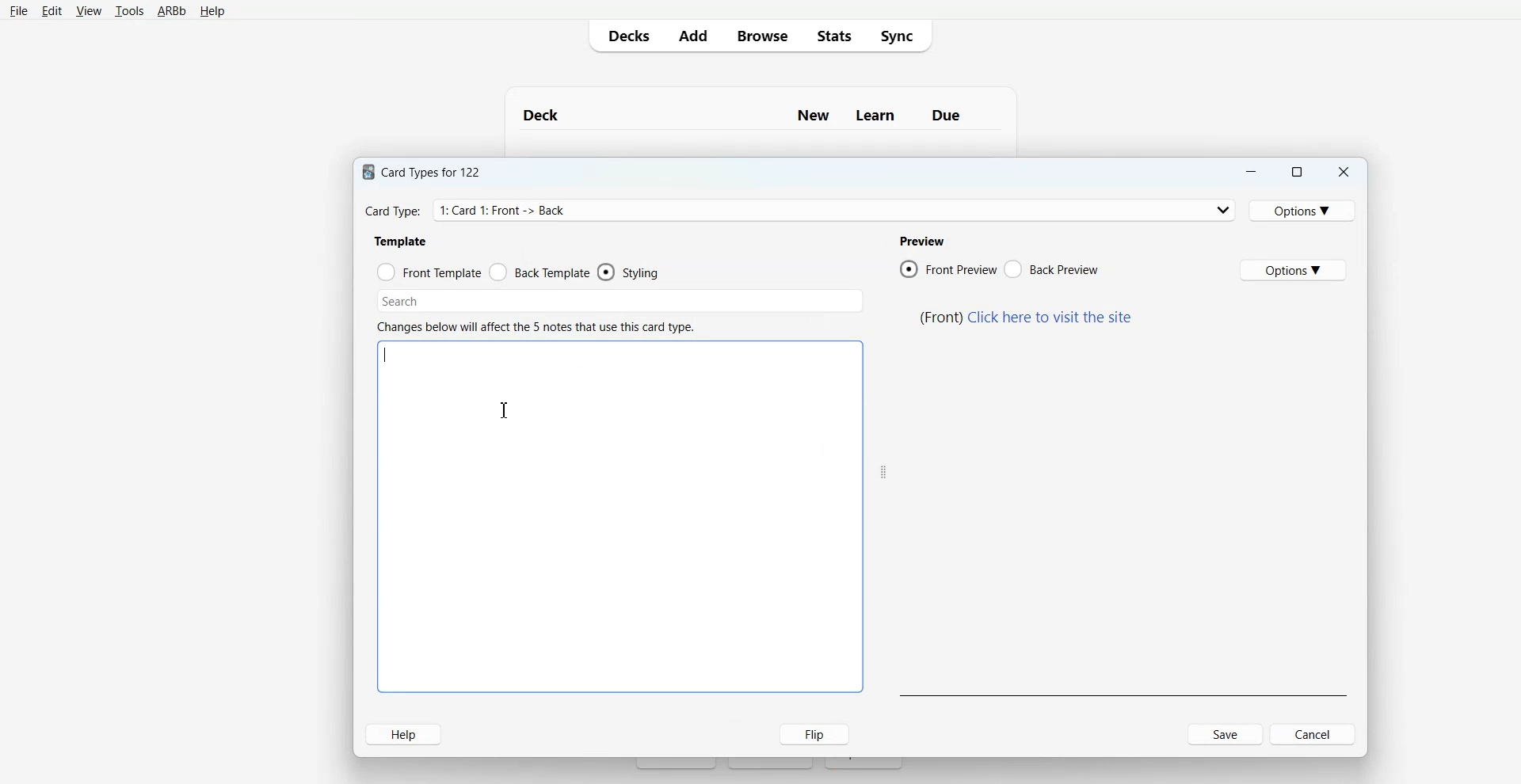 The width and height of the screenshot is (1521, 784). What do you see at coordinates (620, 299) in the screenshot?
I see `Search Bar` at bounding box center [620, 299].